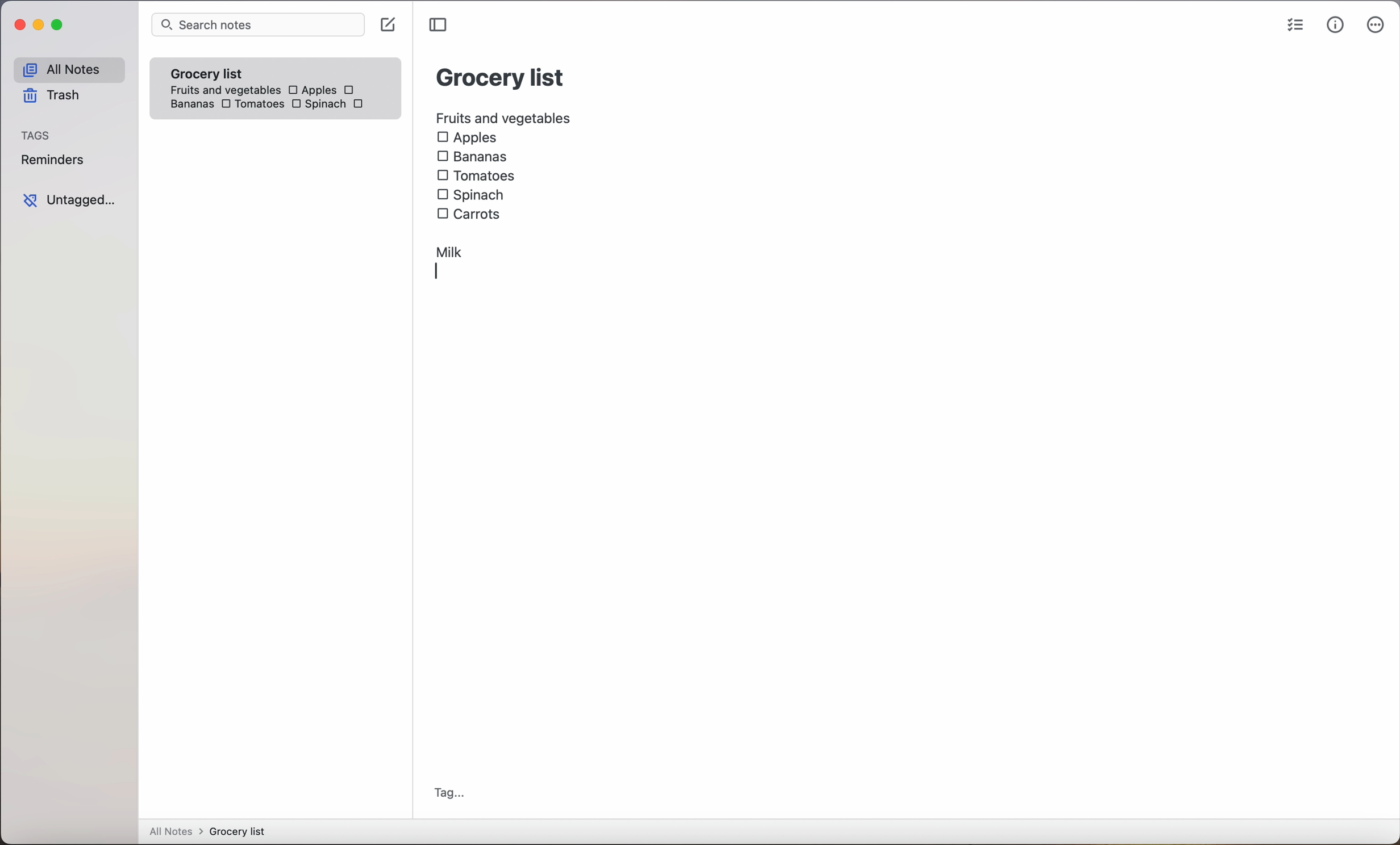  I want to click on all notes, so click(68, 70).